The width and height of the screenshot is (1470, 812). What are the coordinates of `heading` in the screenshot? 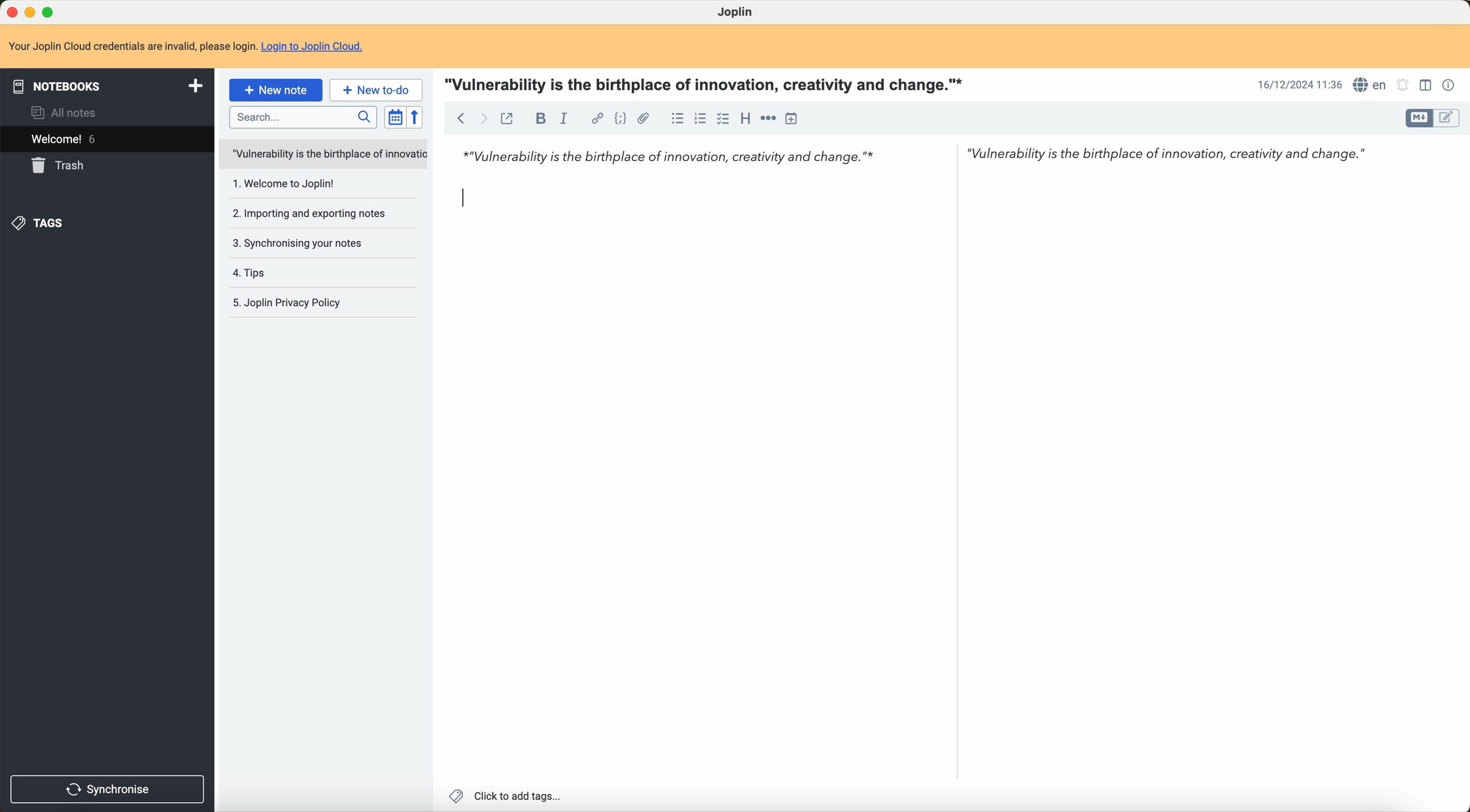 It's located at (743, 119).